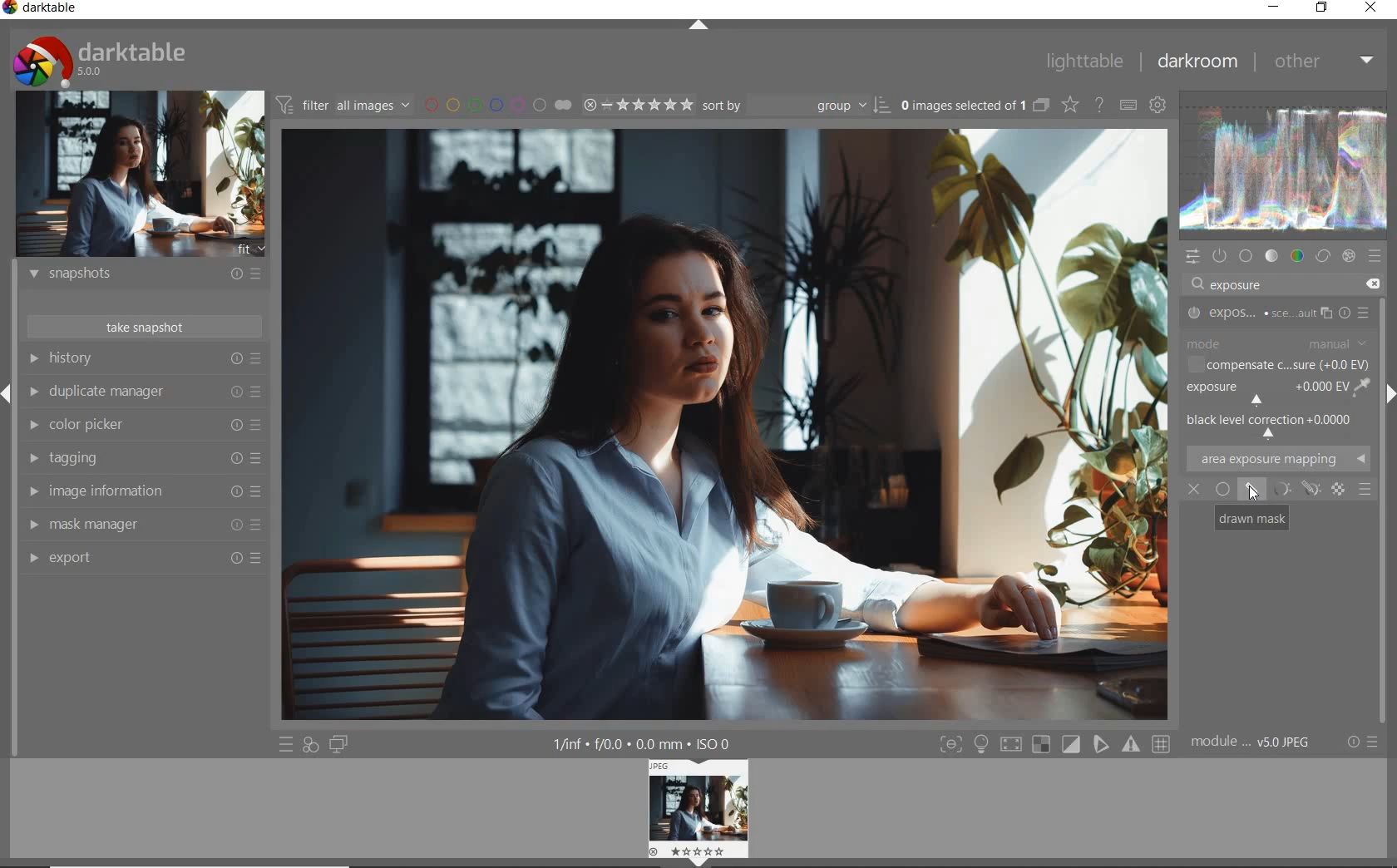  I want to click on quick access panel, so click(1193, 257).